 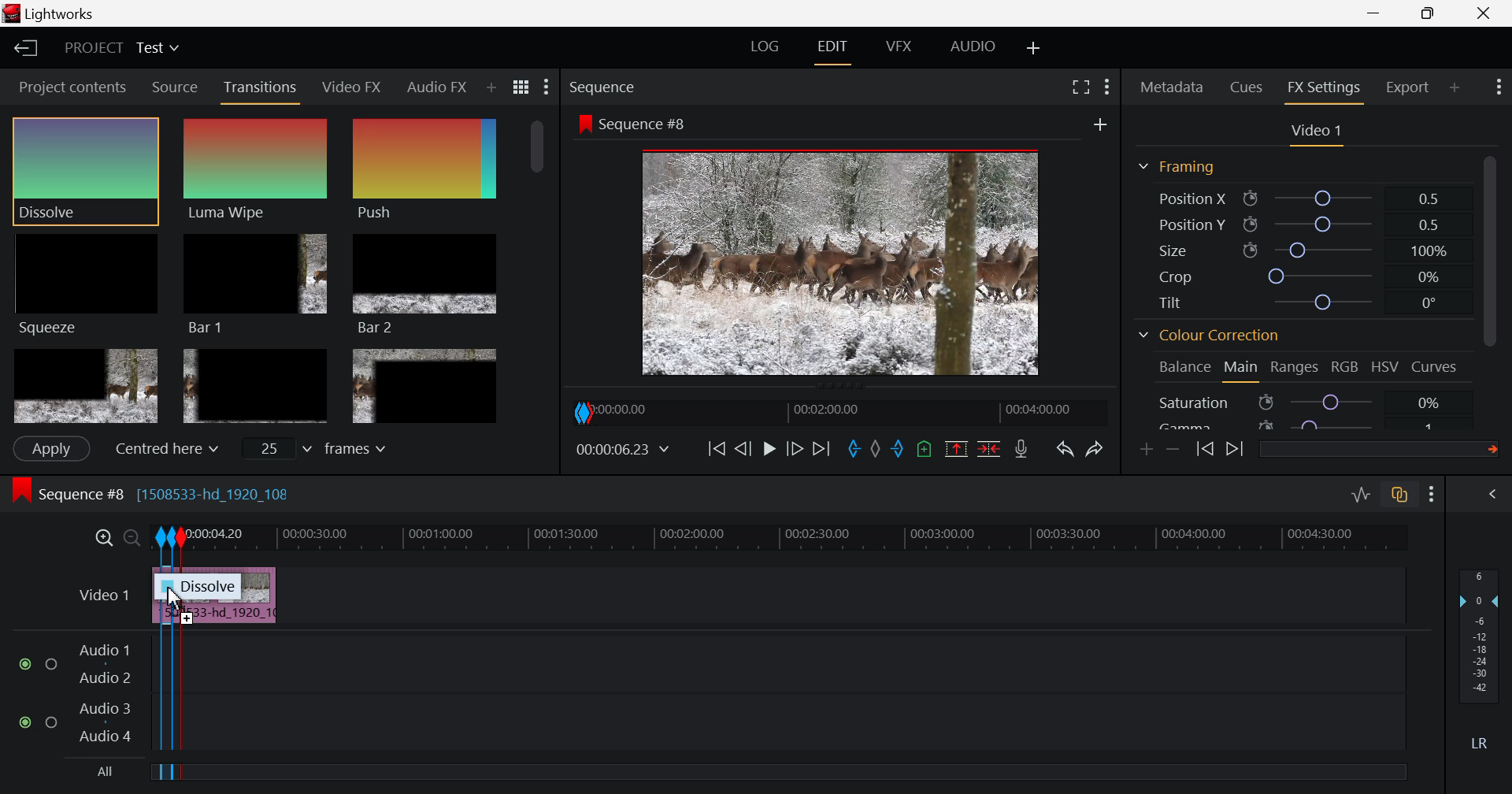 What do you see at coordinates (765, 49) in the screenshot?
I see `LOG` at bounding box center [765, 49].